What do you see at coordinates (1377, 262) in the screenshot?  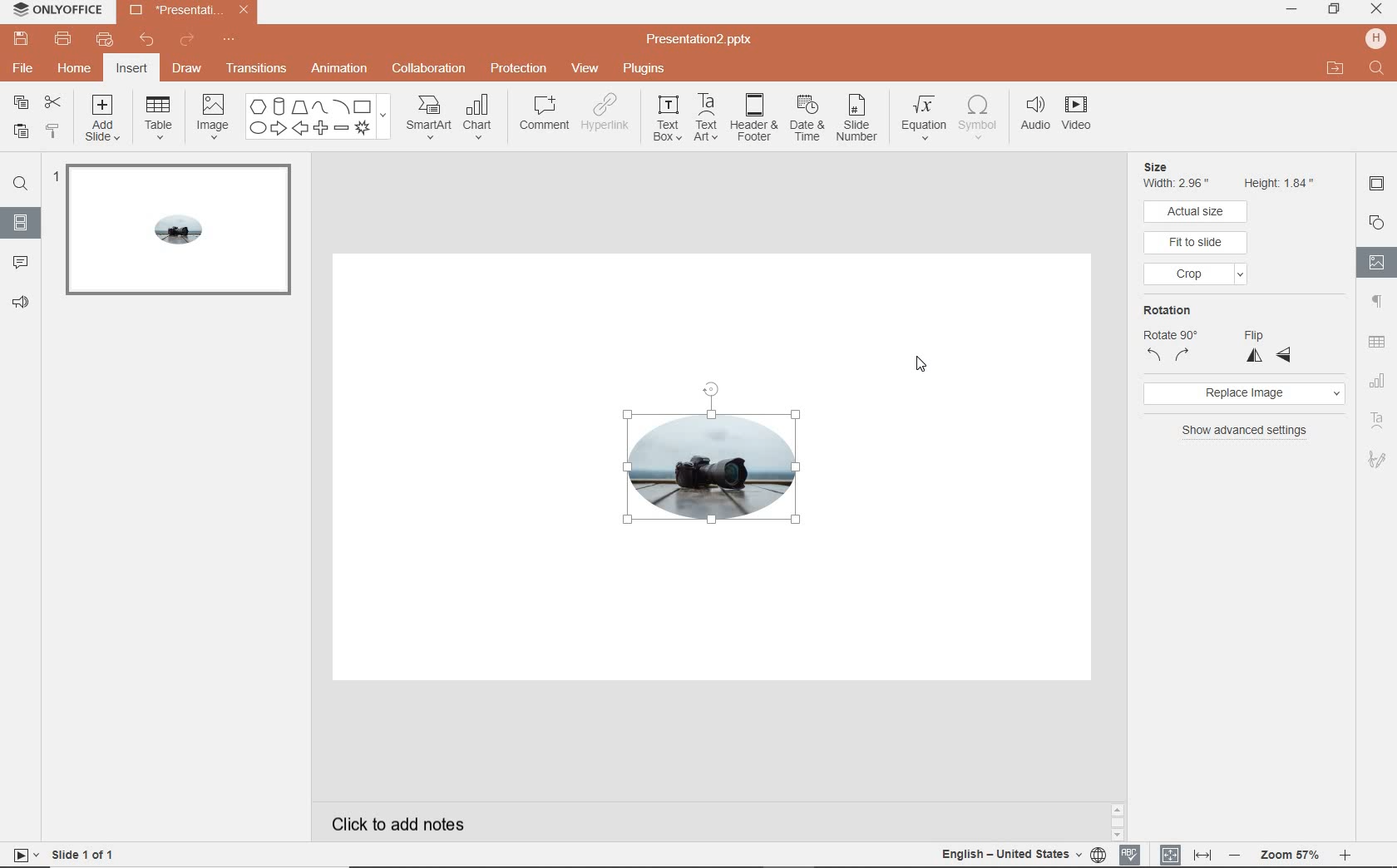 I see `image settings` at bounding box center [1377, 262].